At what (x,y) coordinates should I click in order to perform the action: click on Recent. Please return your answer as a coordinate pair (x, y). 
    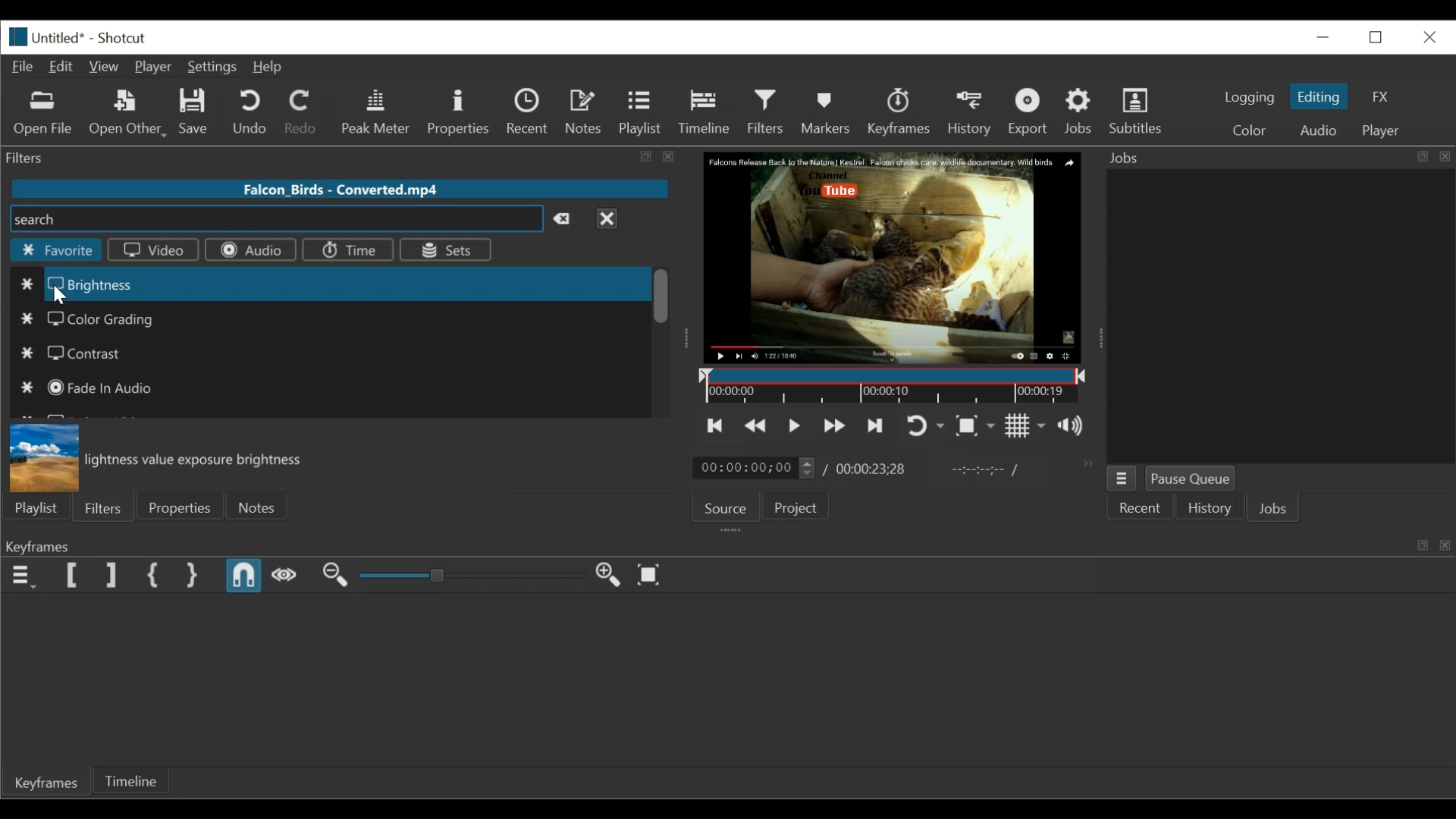
    Looking at the image, I should click on (1141, 507).